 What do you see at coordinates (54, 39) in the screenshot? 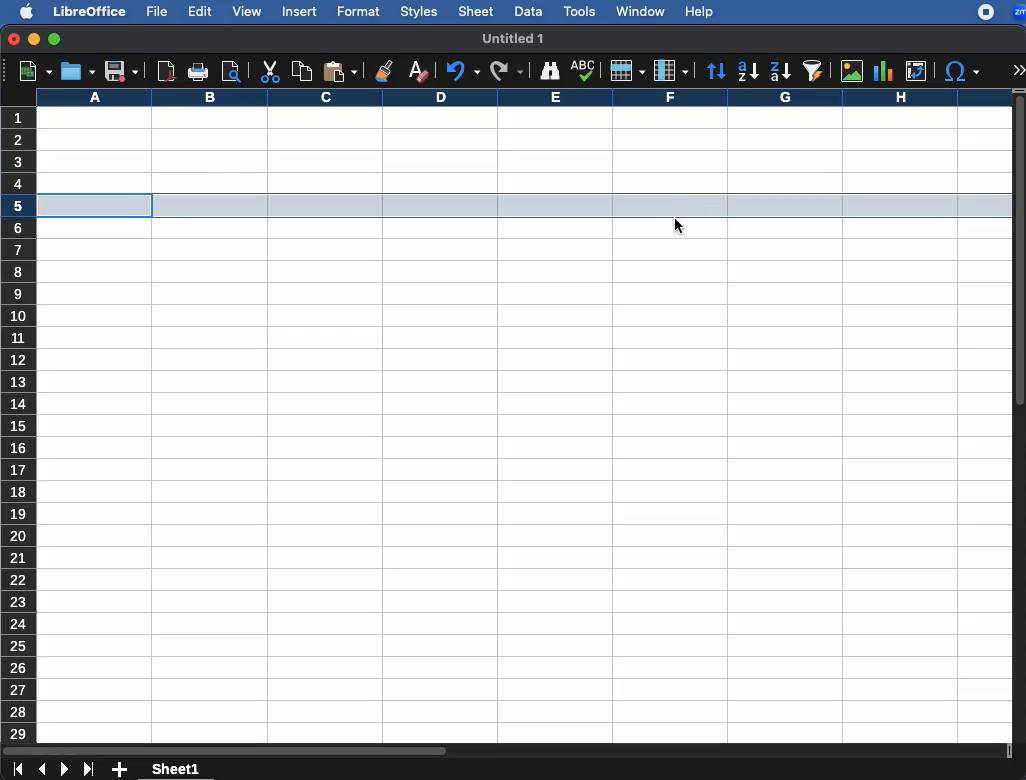
I see `maximize` at bounding box center [54, 39].